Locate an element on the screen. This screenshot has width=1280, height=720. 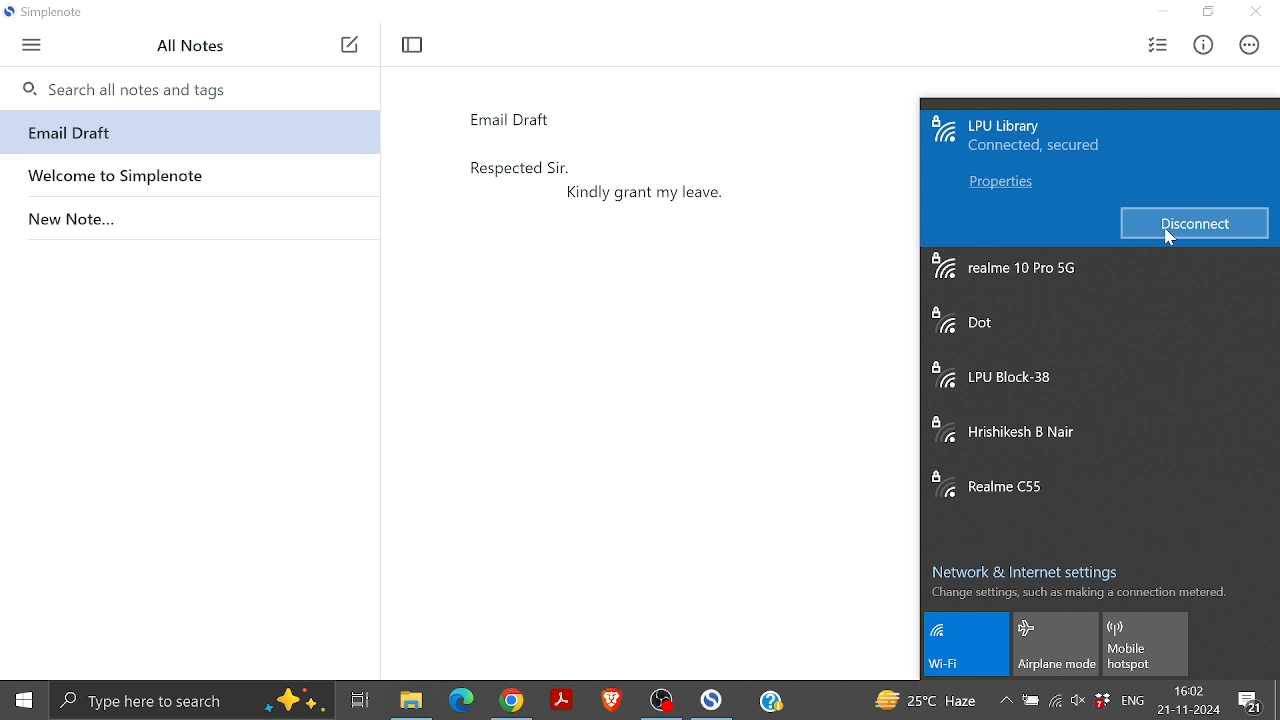
Time and date is located at coordinates (1191, 700).